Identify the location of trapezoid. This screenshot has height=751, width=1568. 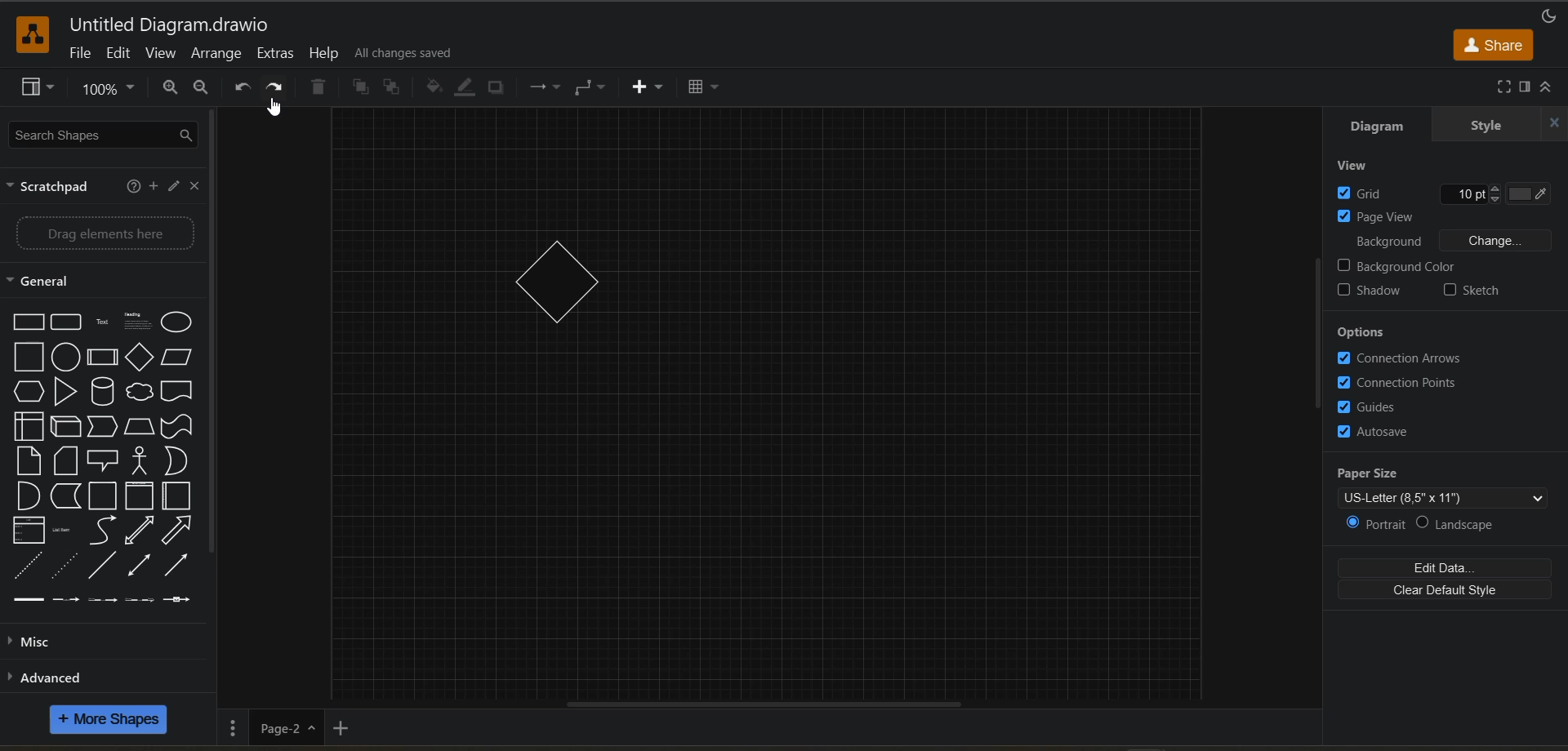
(140, 426).